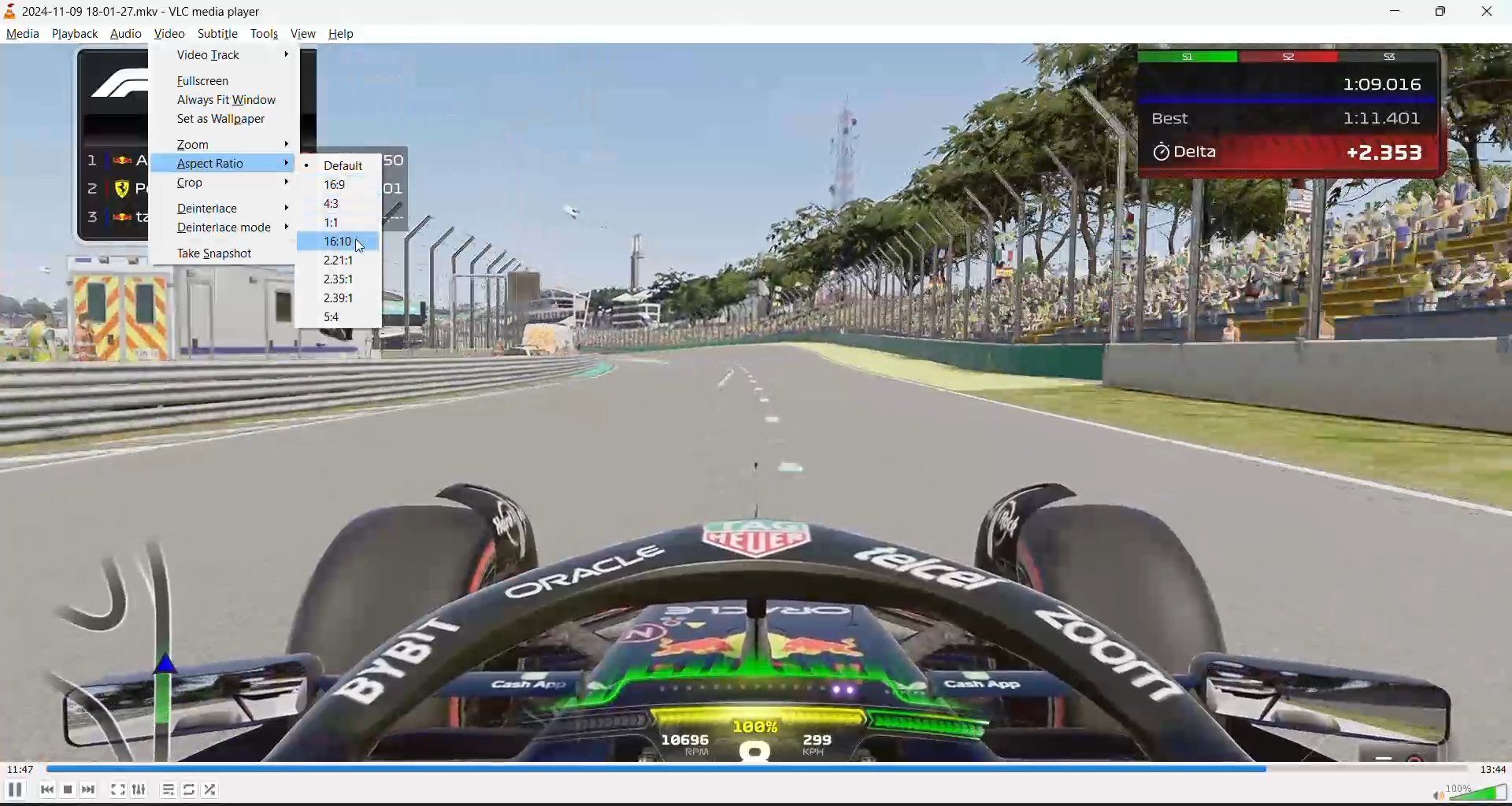  I want to click on track slider, so click(751, 767).